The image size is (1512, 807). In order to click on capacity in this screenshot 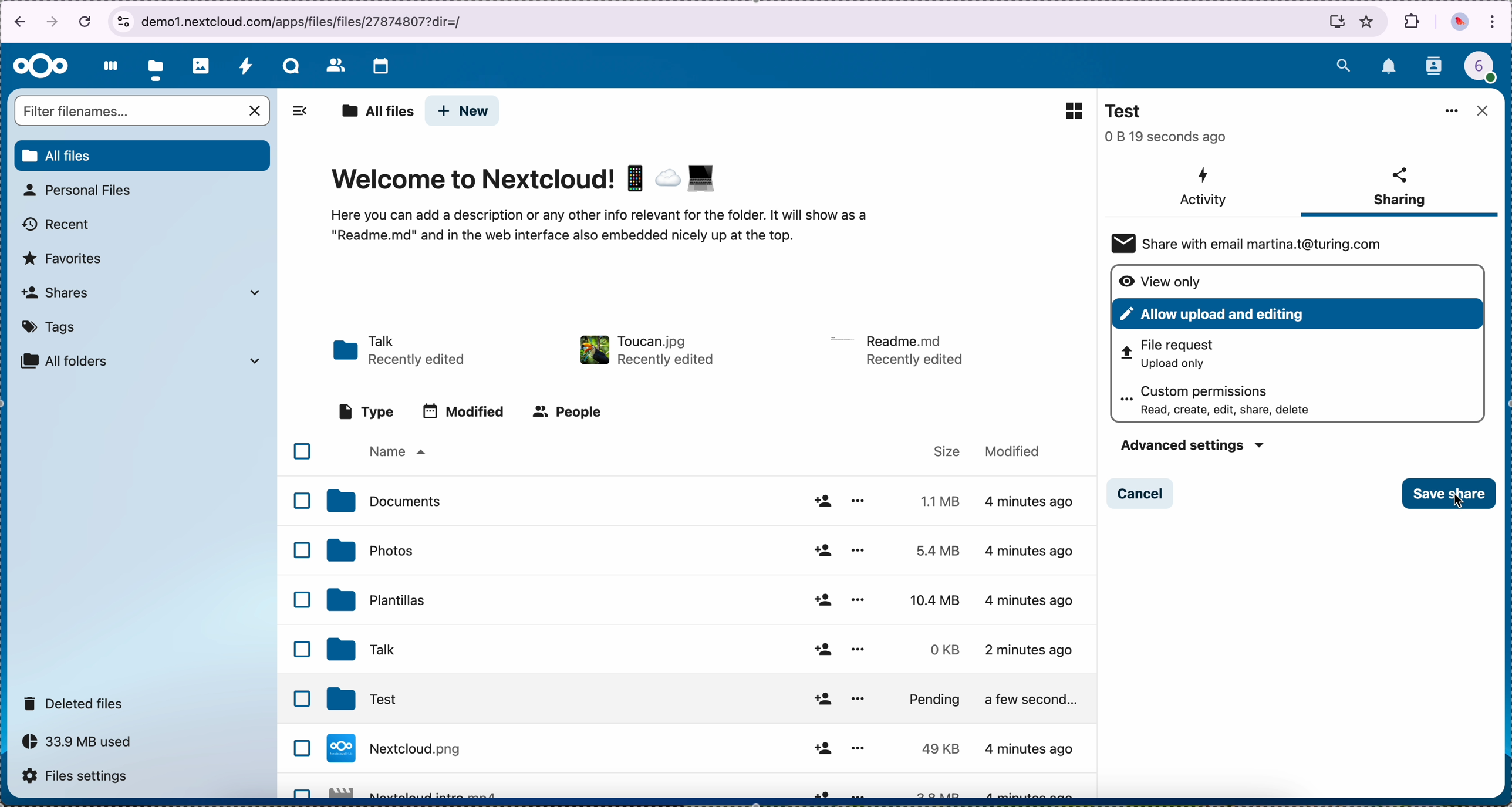, I will do `click(83, 745)`.